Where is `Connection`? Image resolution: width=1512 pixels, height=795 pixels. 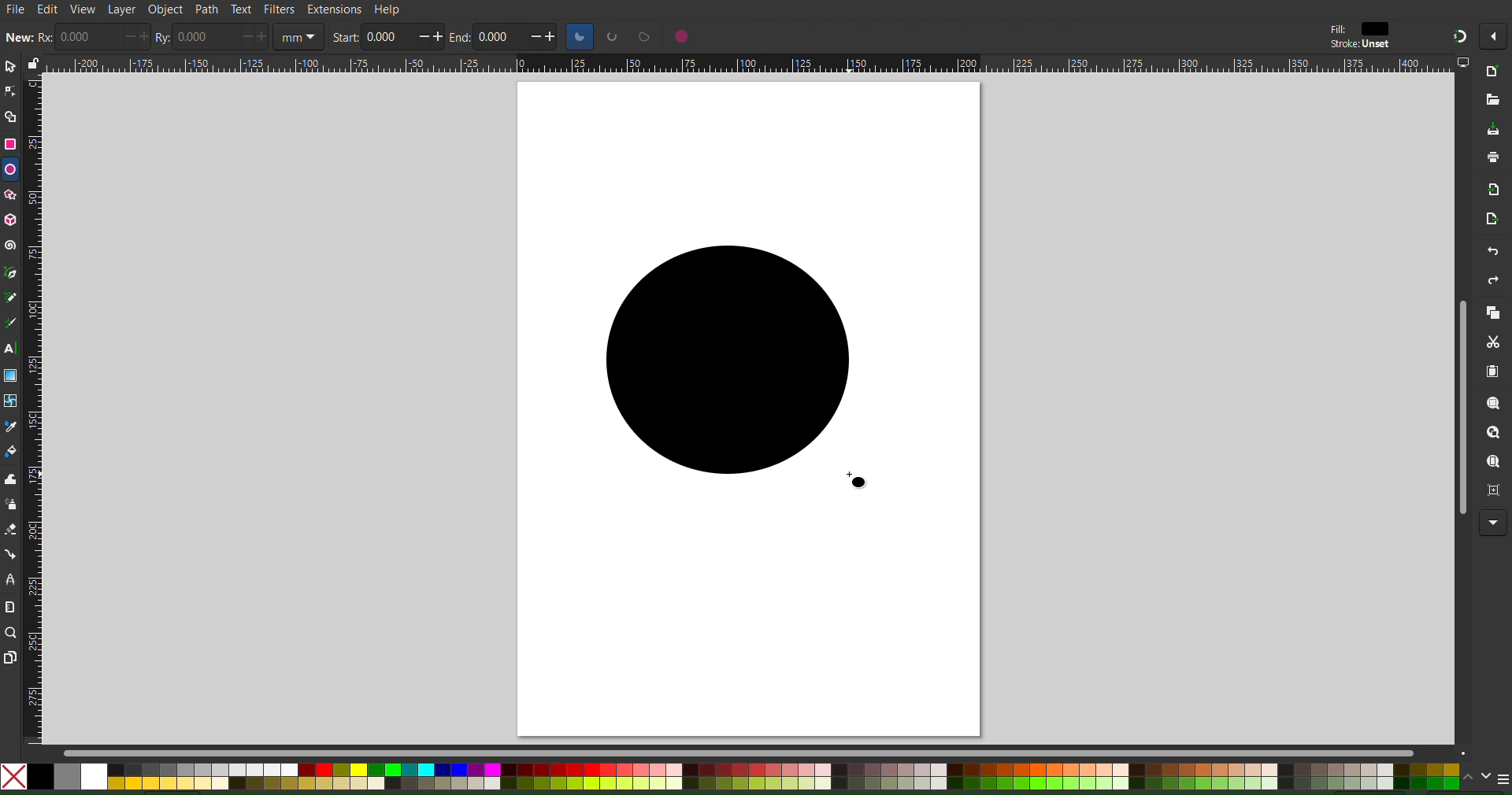 Connection is located at coordinates (10, 555).